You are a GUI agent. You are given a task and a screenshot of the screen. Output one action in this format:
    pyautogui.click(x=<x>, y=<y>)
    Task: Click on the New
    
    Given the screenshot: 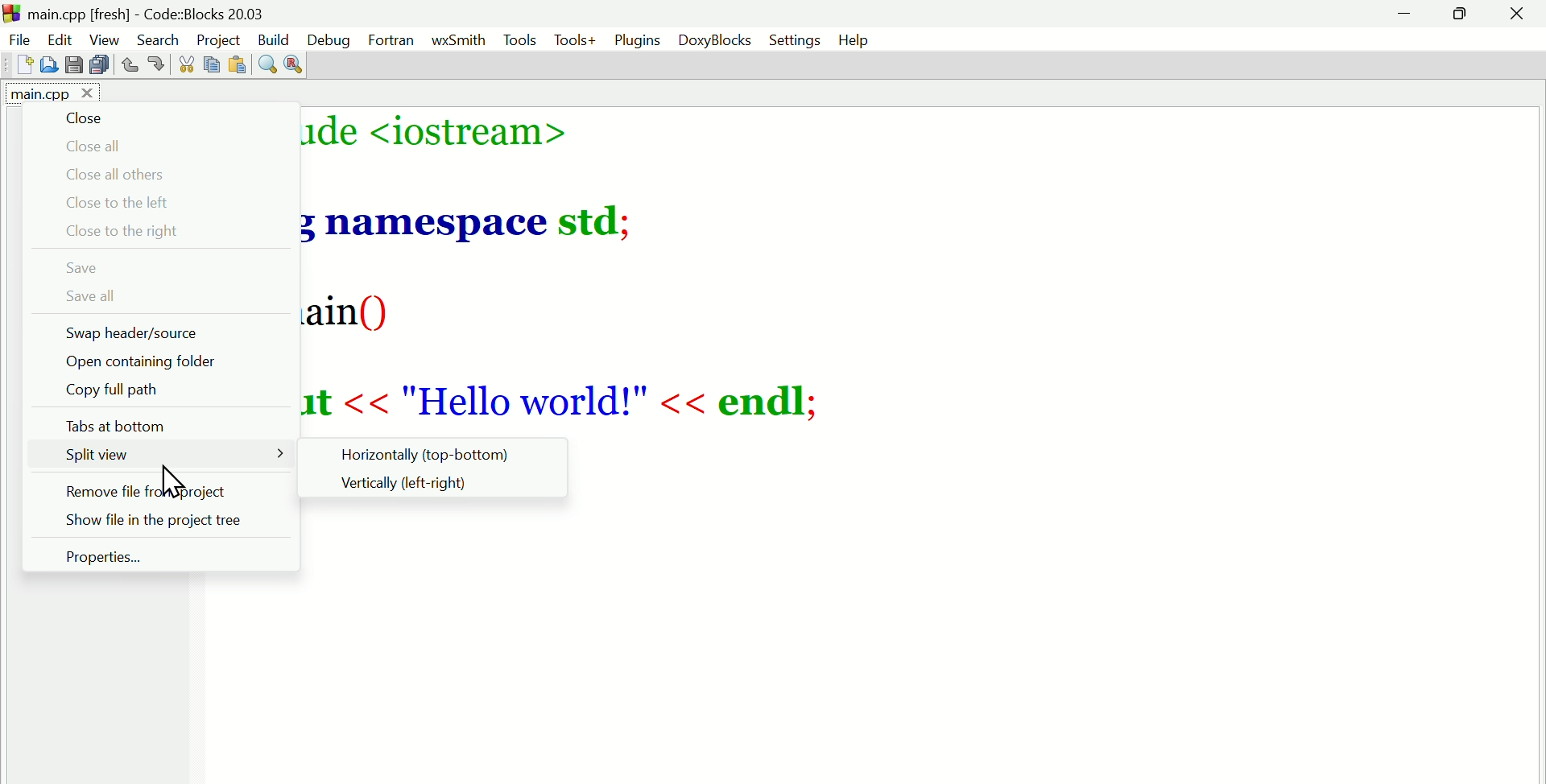 What is the action you would take?
    pyautogui.click(x=48, y=64)
    